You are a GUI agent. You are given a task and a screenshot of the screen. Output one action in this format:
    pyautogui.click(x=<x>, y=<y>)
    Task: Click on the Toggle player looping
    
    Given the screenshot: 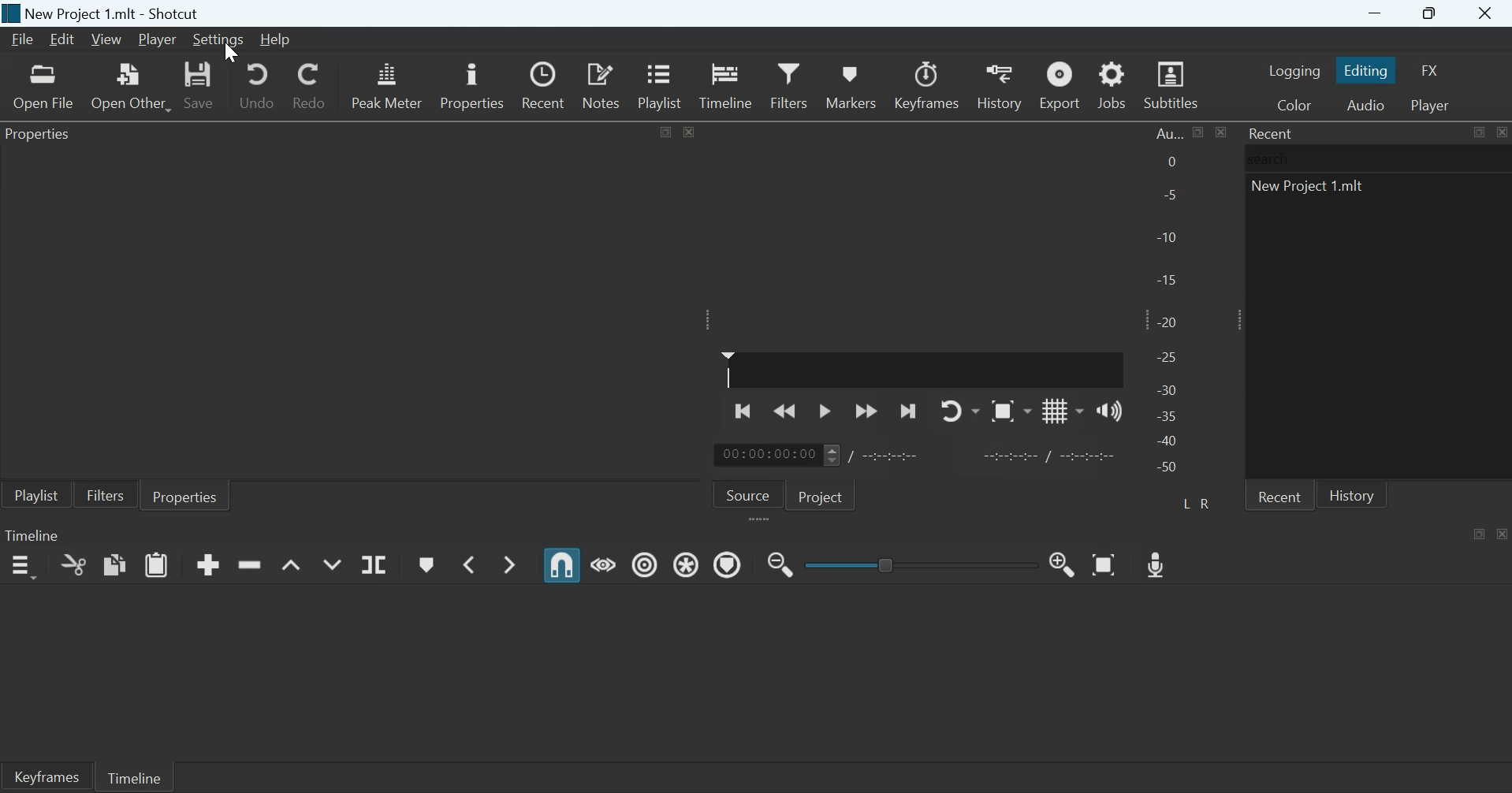 What is the action you would take?
    pyautogui.click(x=960, y=411)
    